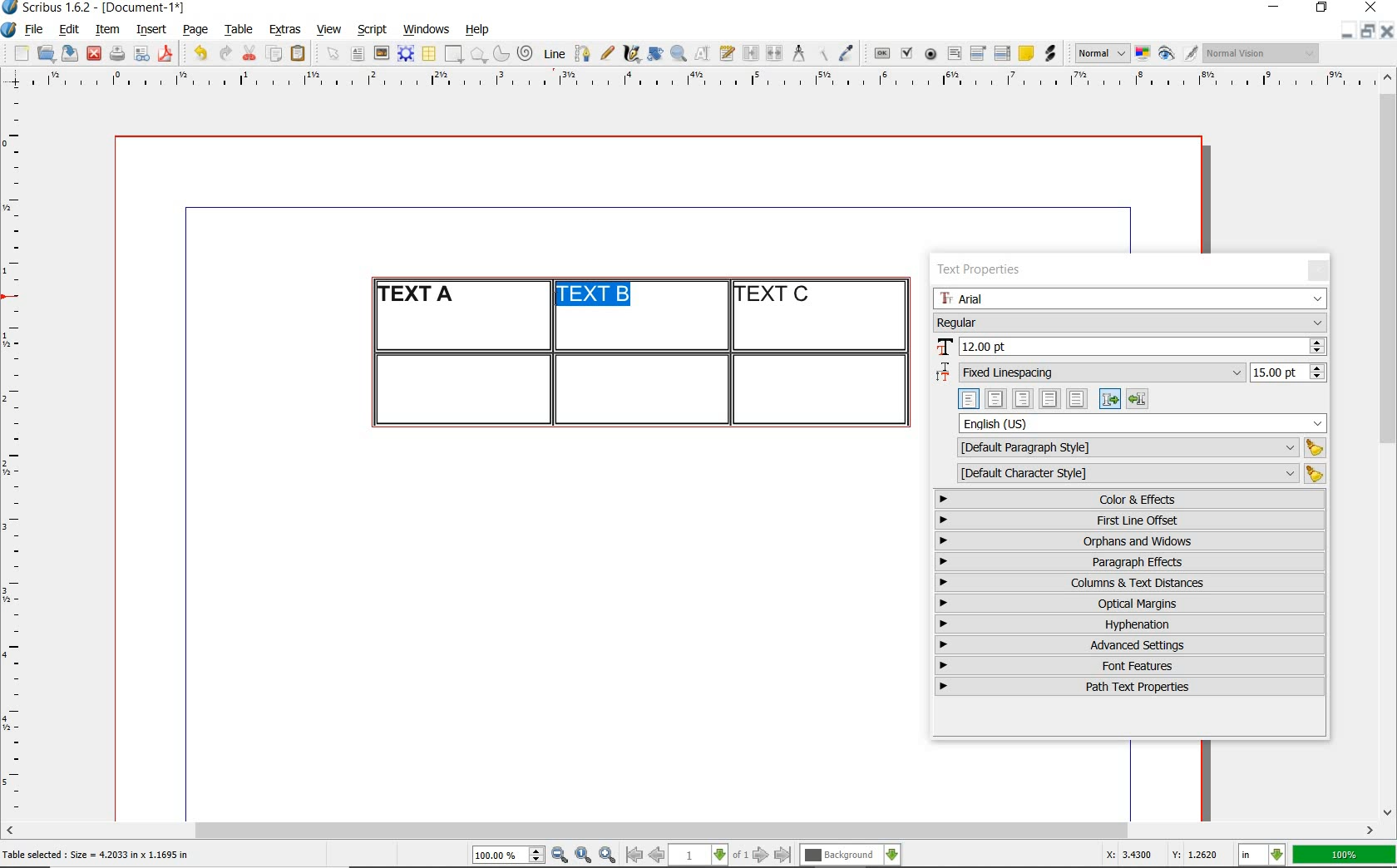 This screenshot has height=868, width=1397. What do you see at coordinates (249, 52) in the screenshot?
I see `cut` at bounding box center [249, 52].